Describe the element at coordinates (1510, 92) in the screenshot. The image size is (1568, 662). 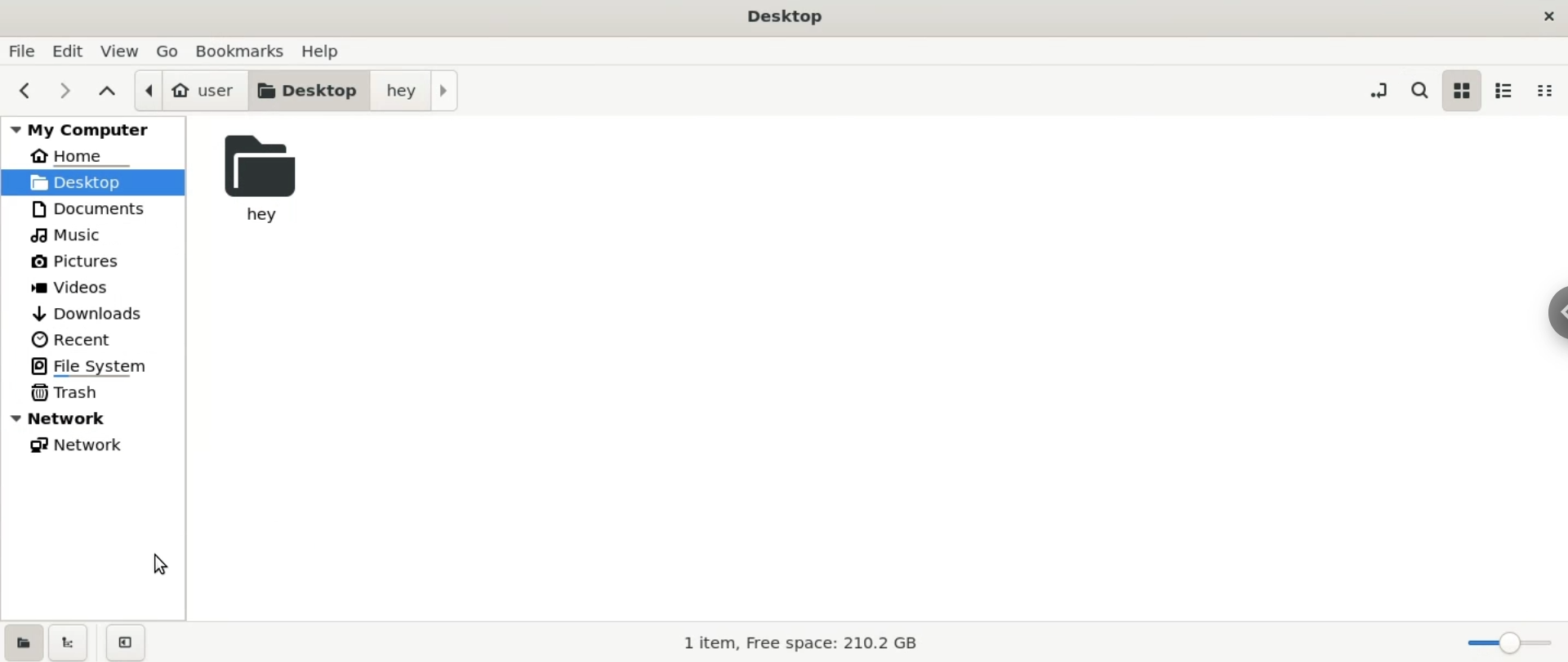
I see `list view` at that location.